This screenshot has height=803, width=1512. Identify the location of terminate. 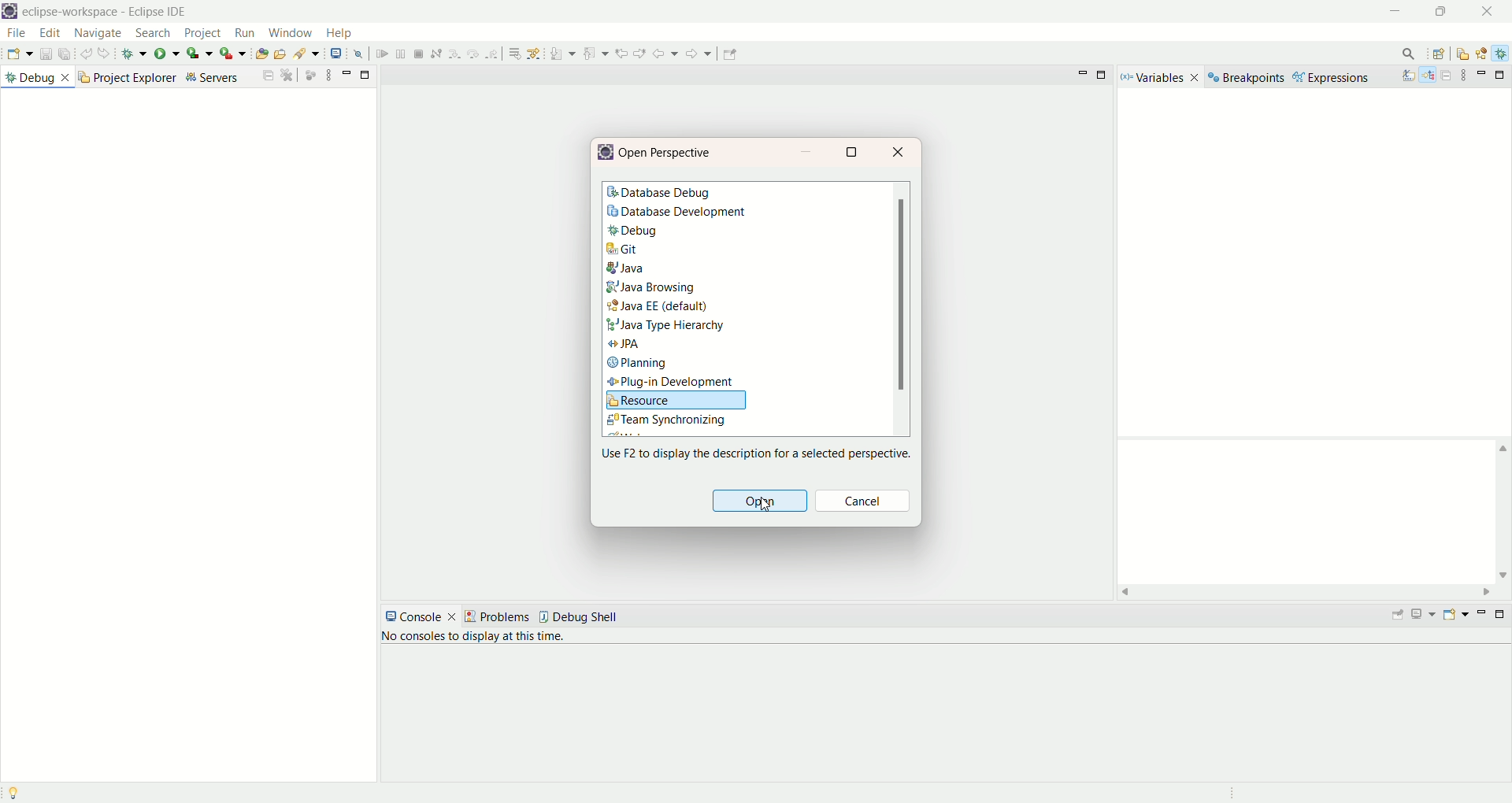
(533, 53).